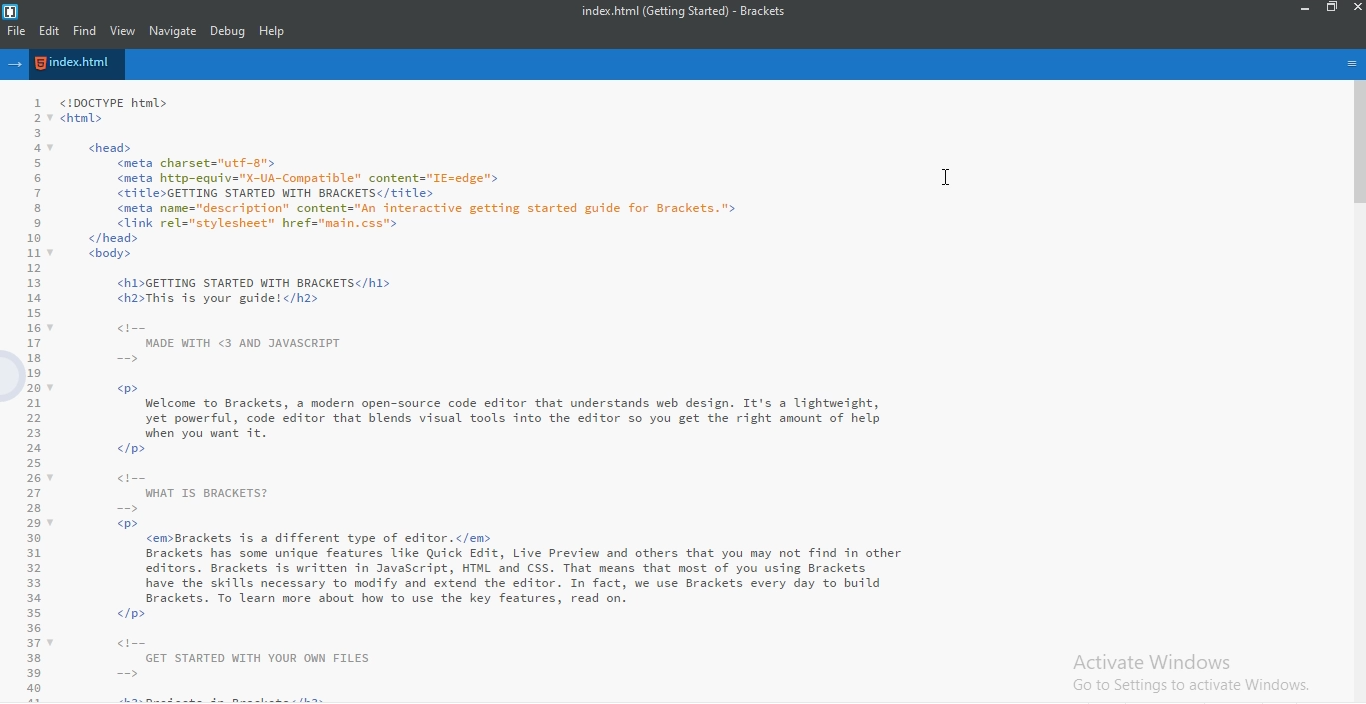  Describe the element at coordinates (26, 397) in the screenshot. I see `Line Number` at that location.